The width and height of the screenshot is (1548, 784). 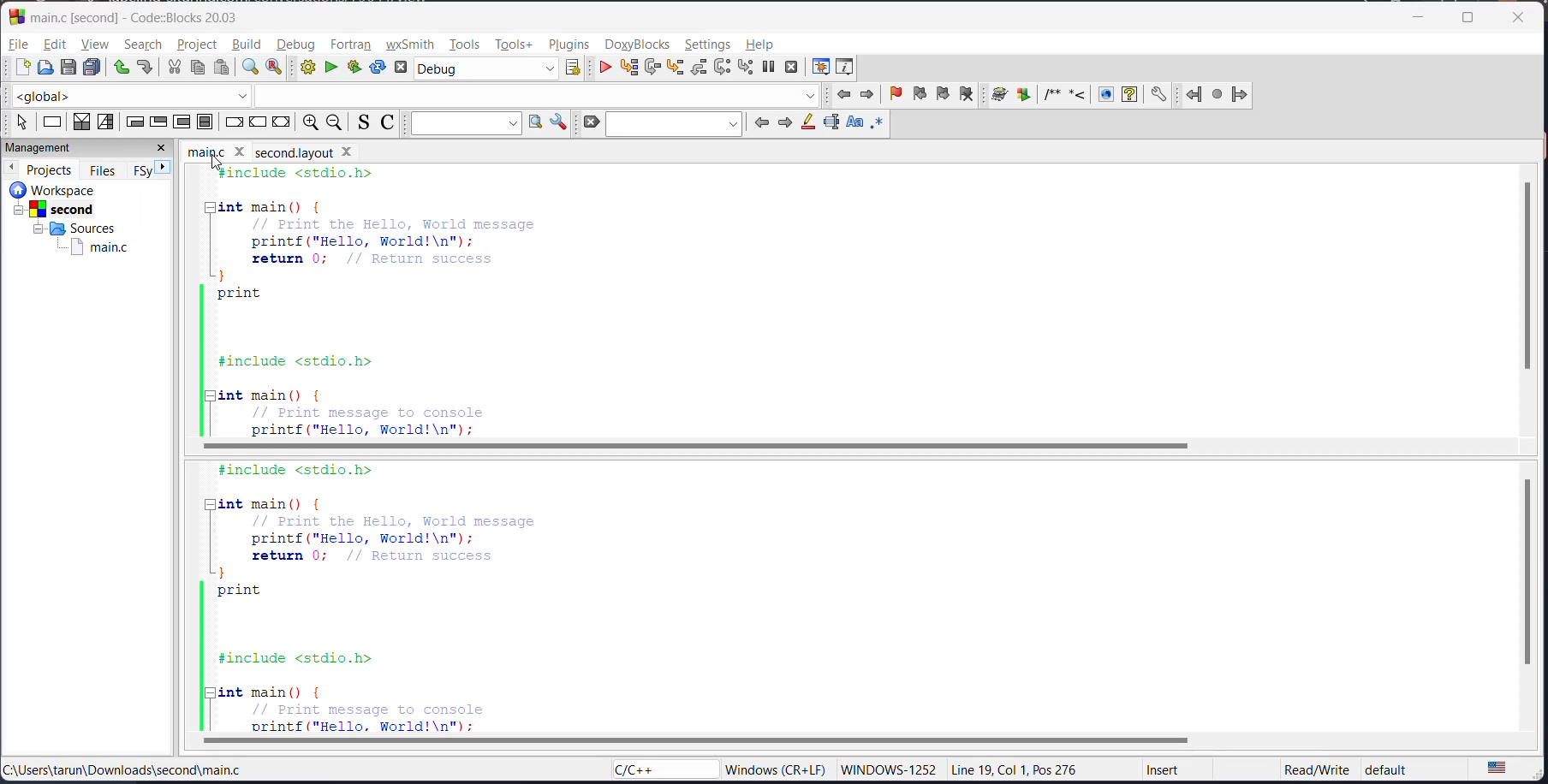 What do you see at coordinates (404, 68) in the screenshot?
I see `abort` at bounding box center [404, 68].